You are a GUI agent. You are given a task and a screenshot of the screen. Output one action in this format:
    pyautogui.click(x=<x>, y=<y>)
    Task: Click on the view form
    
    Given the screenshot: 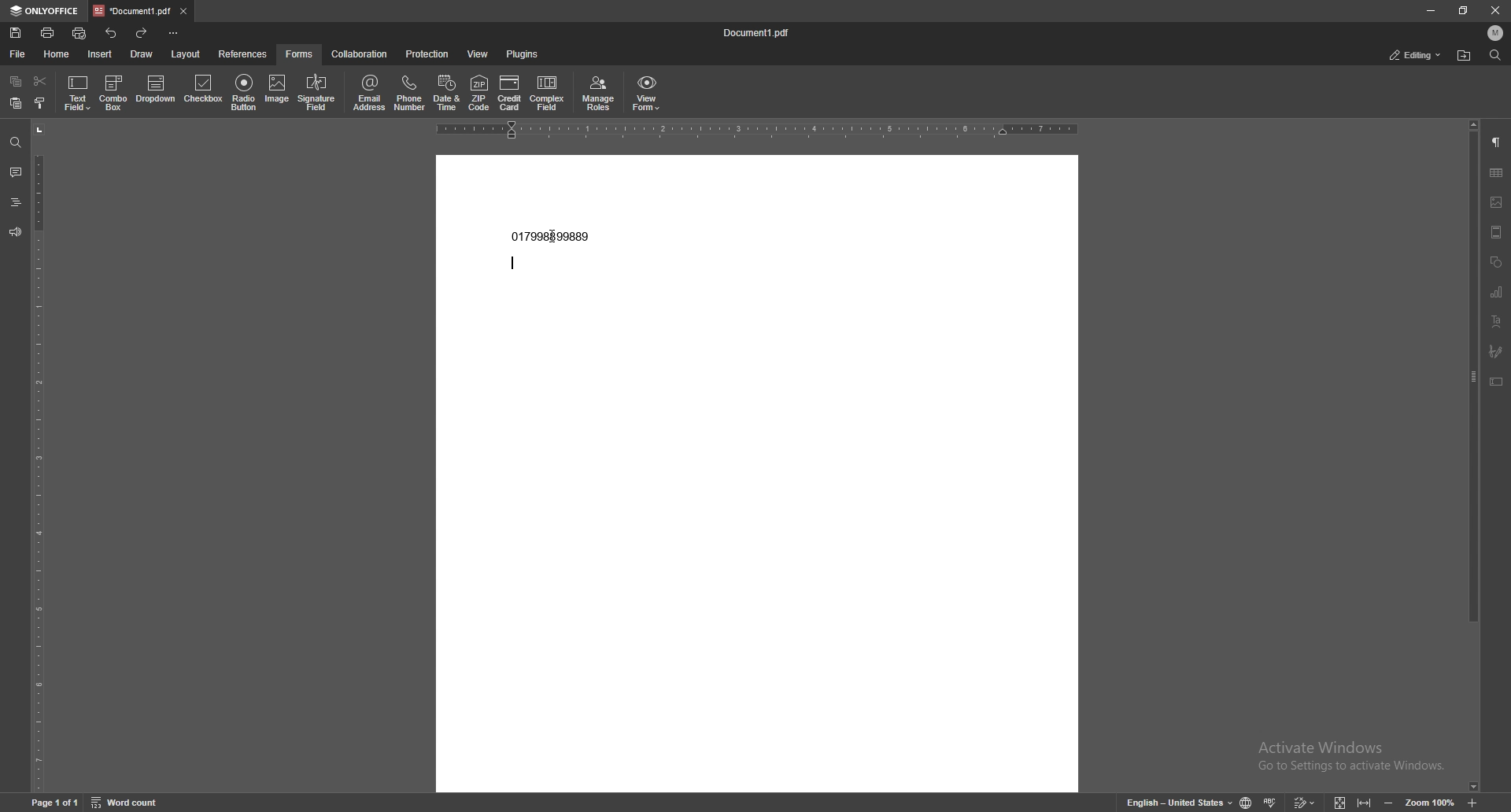 What is the action you would take?
    pyautogui.click(x=647, y=92)
    